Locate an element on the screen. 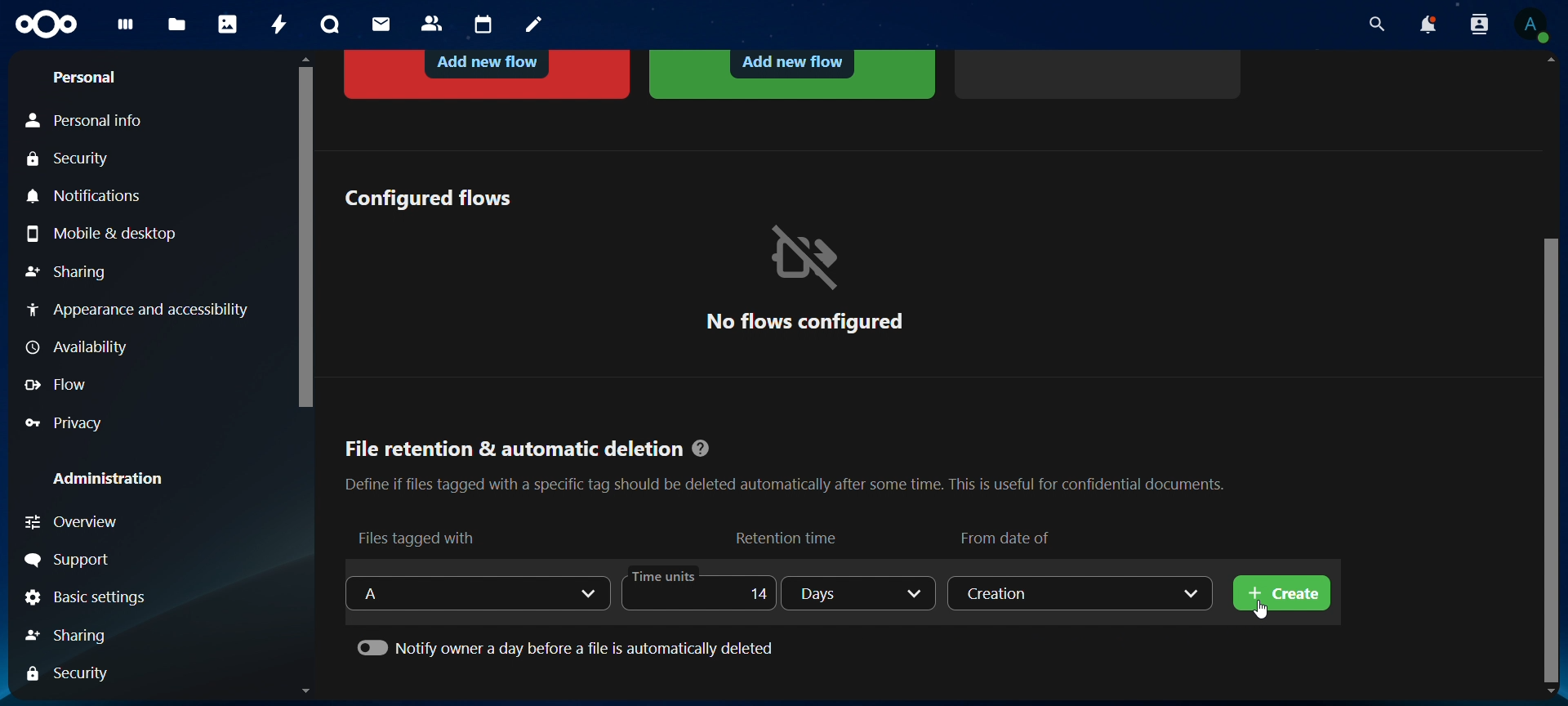 The height and width of the screenshot is (706, 1568). notifications is located at coordinates (1427, 25).